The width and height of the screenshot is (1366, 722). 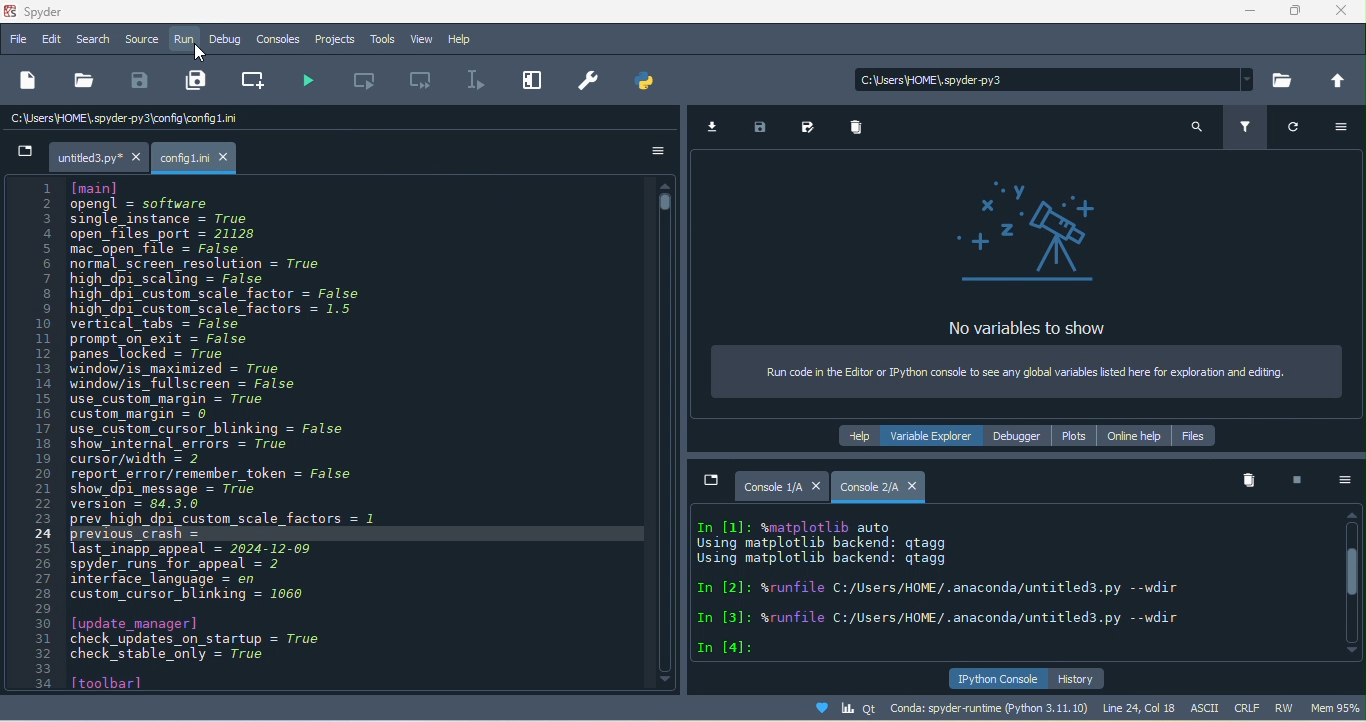 What do you see at coordinates (1289, 483) in the screenshot?
I see `interrupt kenel` at bounding box center [1289, 483].